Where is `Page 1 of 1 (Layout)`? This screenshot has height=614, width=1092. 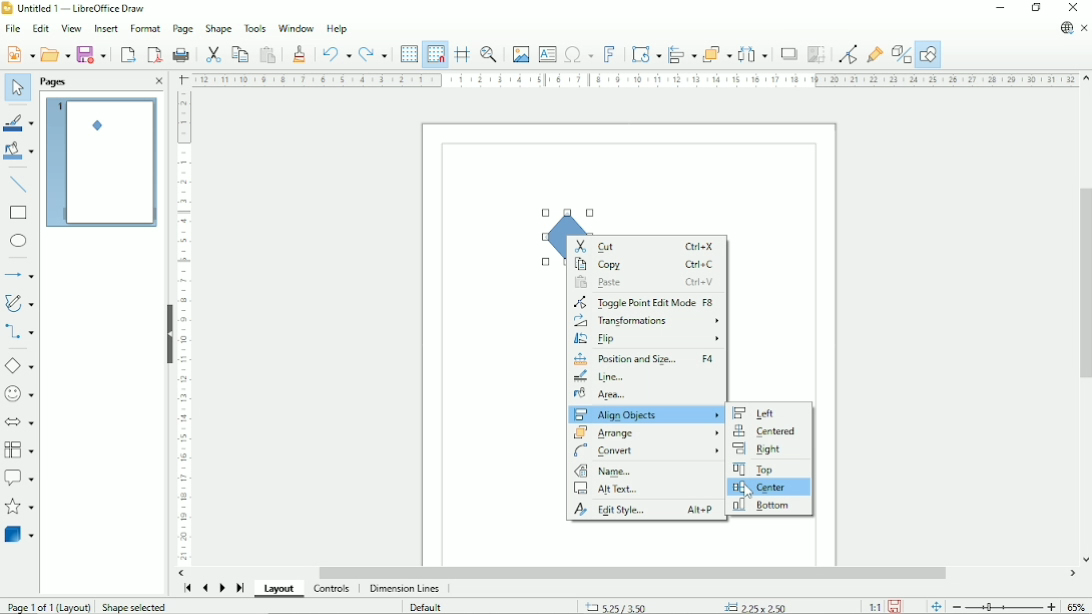
Page 1 of 1 (Layout) is located at coordinates (47, 606).